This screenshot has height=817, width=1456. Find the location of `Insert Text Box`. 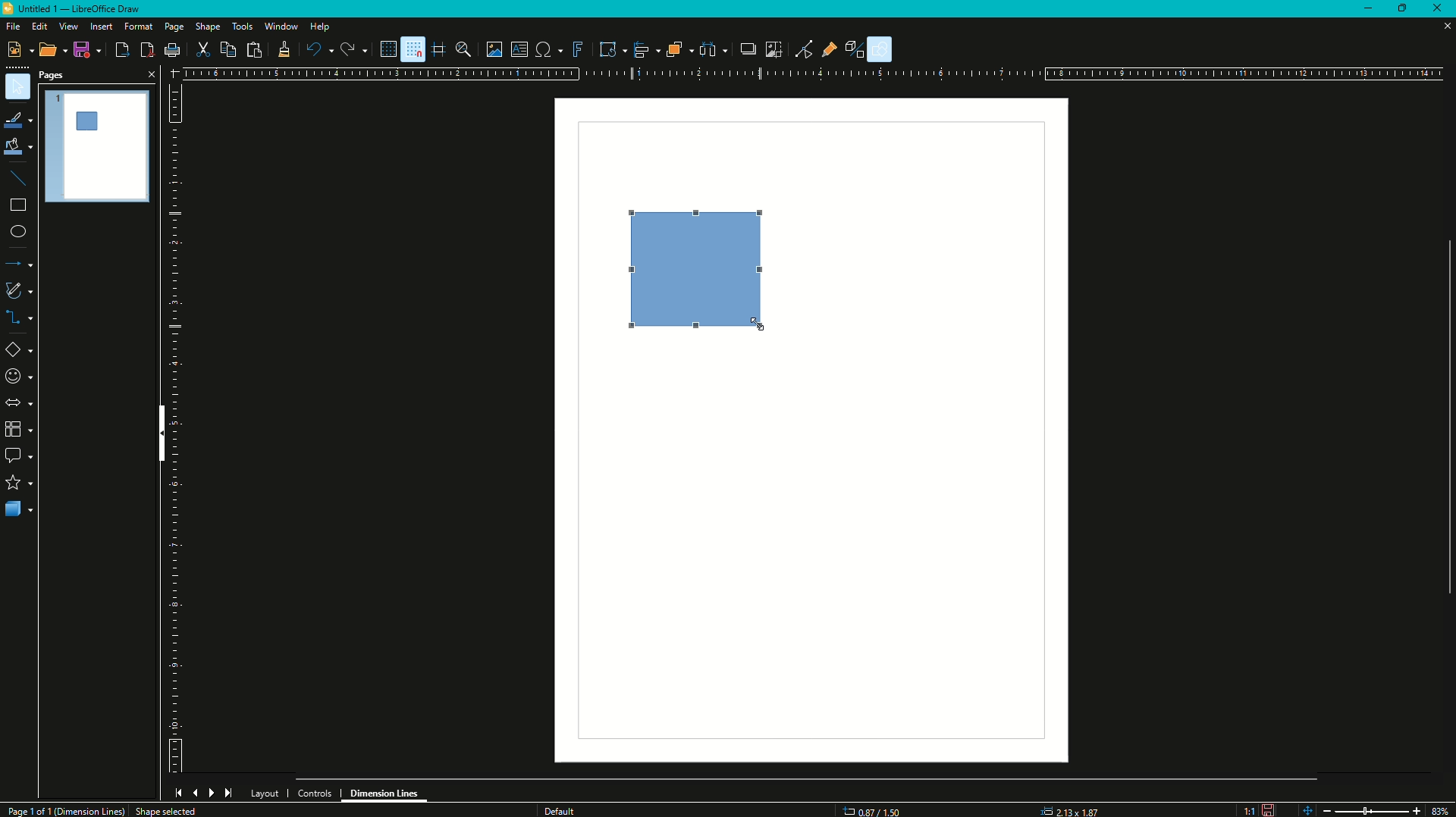

Insert Text Box is located at coordinates (519, 49).